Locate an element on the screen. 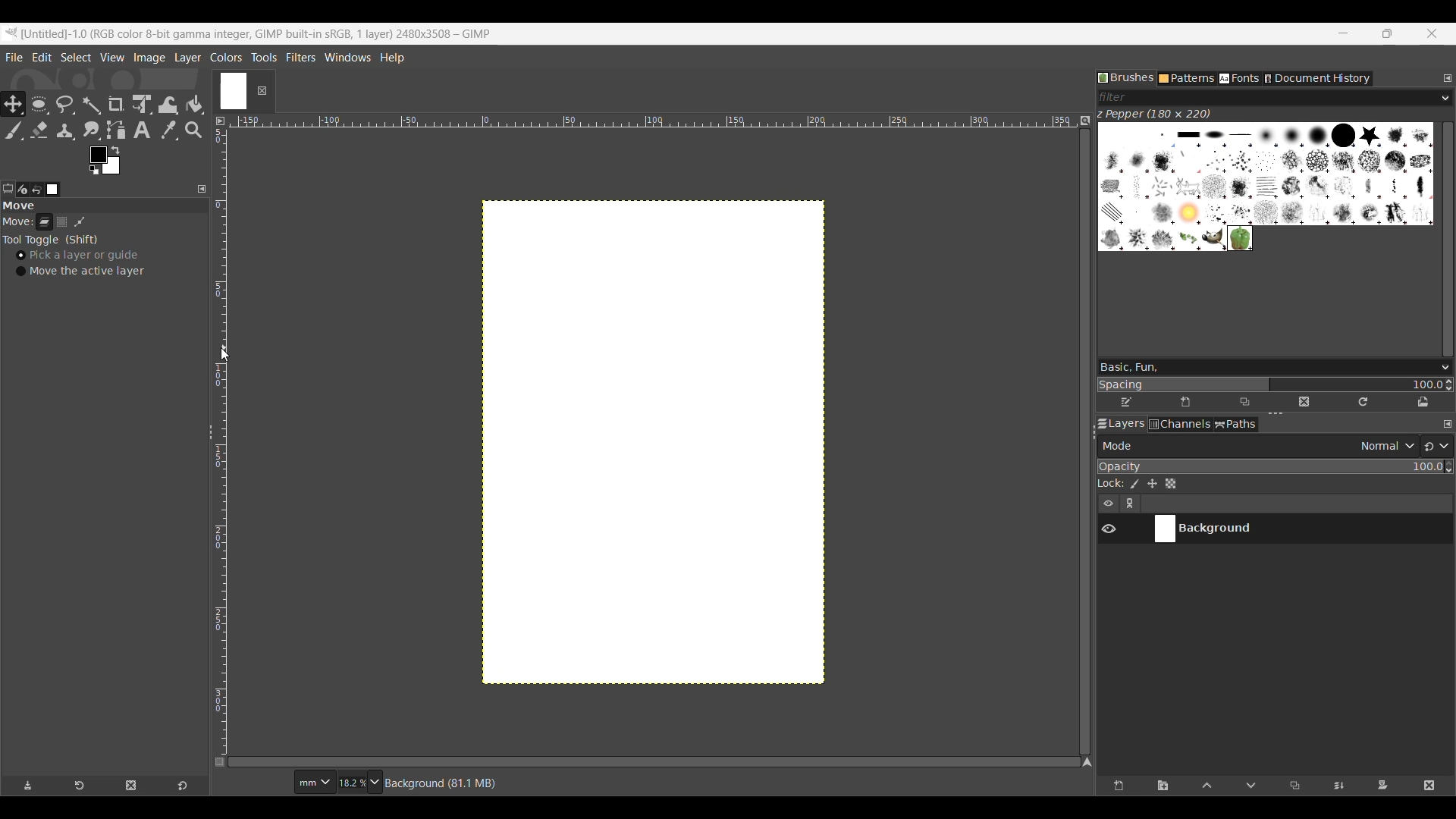  Close tab is located at coordinates (261, 91).